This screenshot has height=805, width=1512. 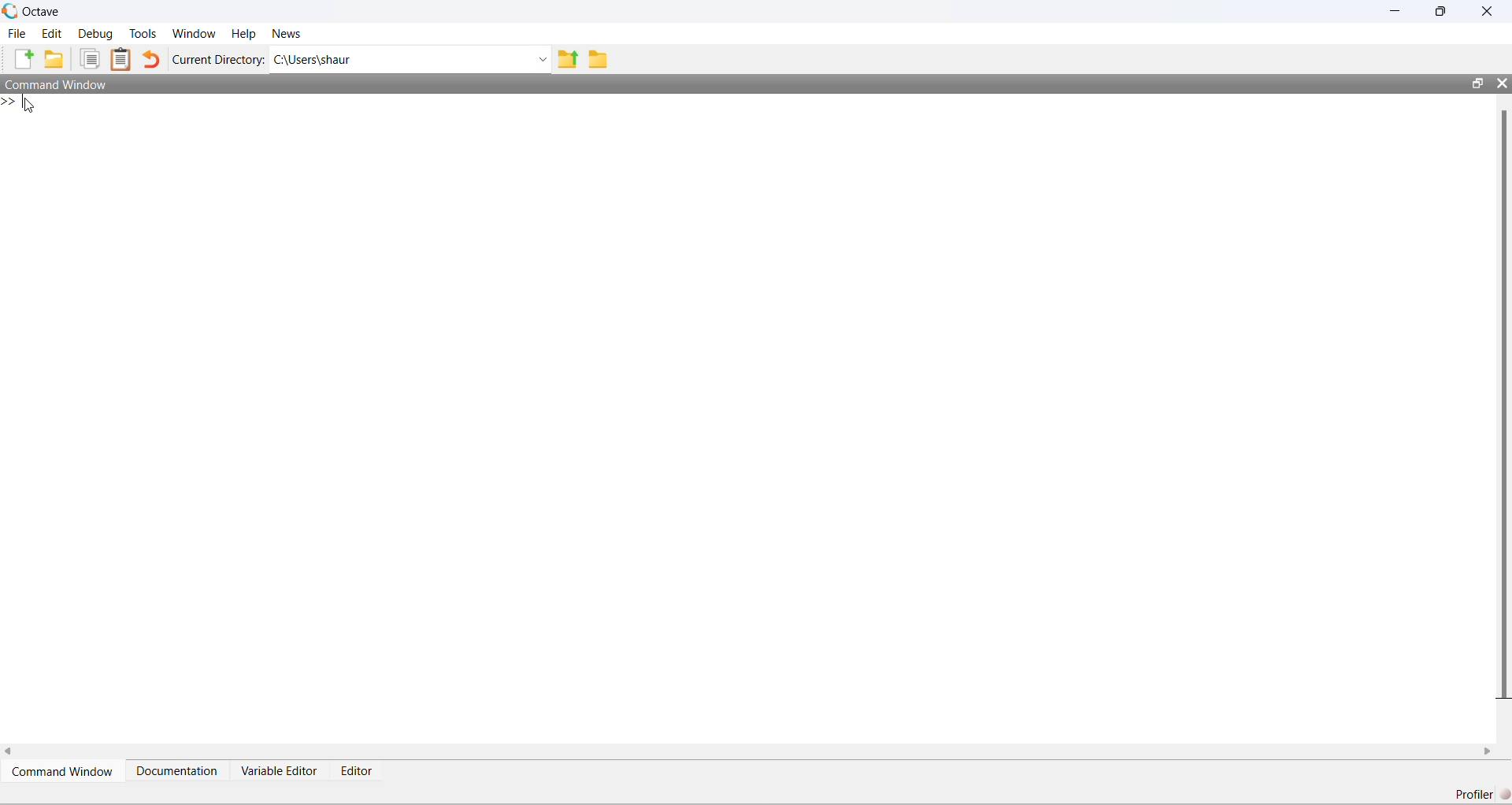 I want to click on One directory up, so click(x=568, y=58).